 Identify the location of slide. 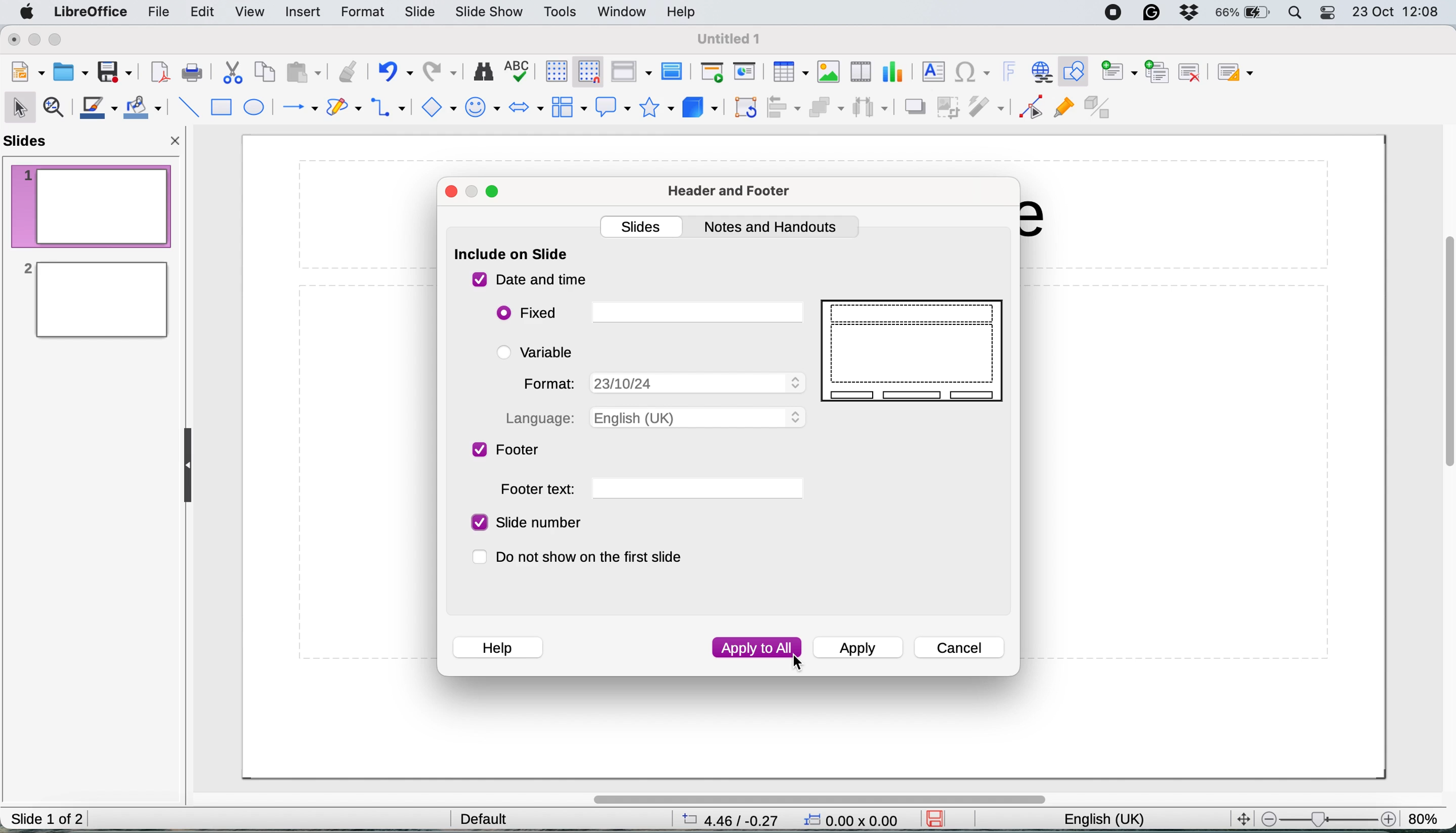
(916, 351).